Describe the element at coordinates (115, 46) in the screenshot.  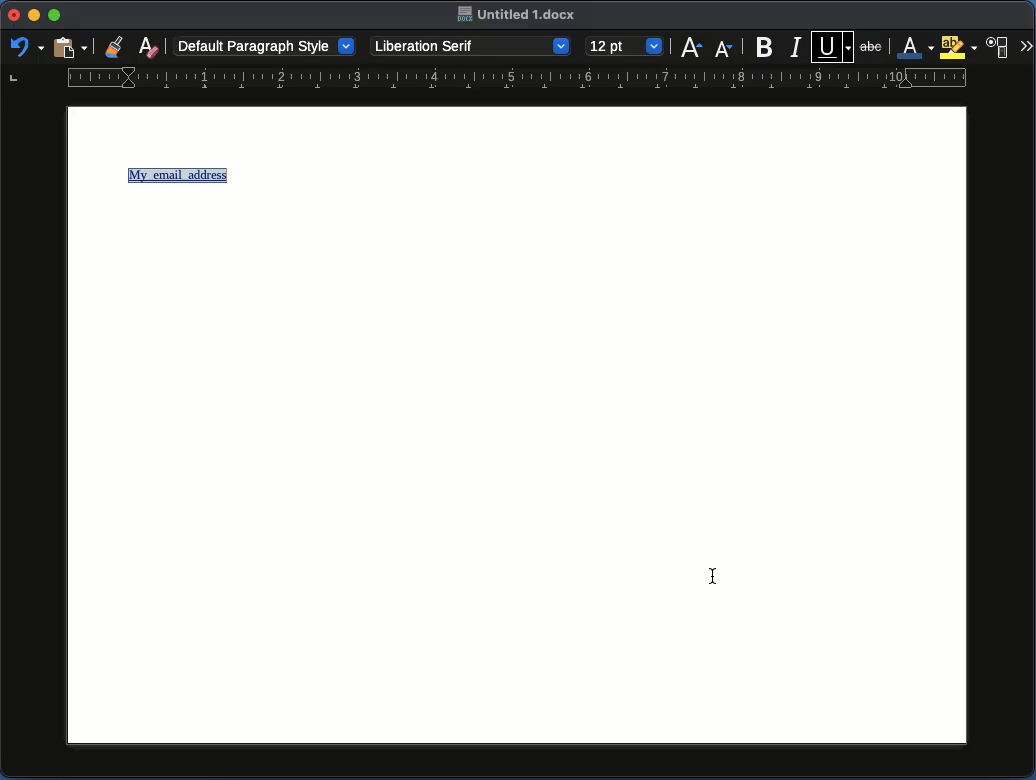
I see `Clone formatting` at that location.